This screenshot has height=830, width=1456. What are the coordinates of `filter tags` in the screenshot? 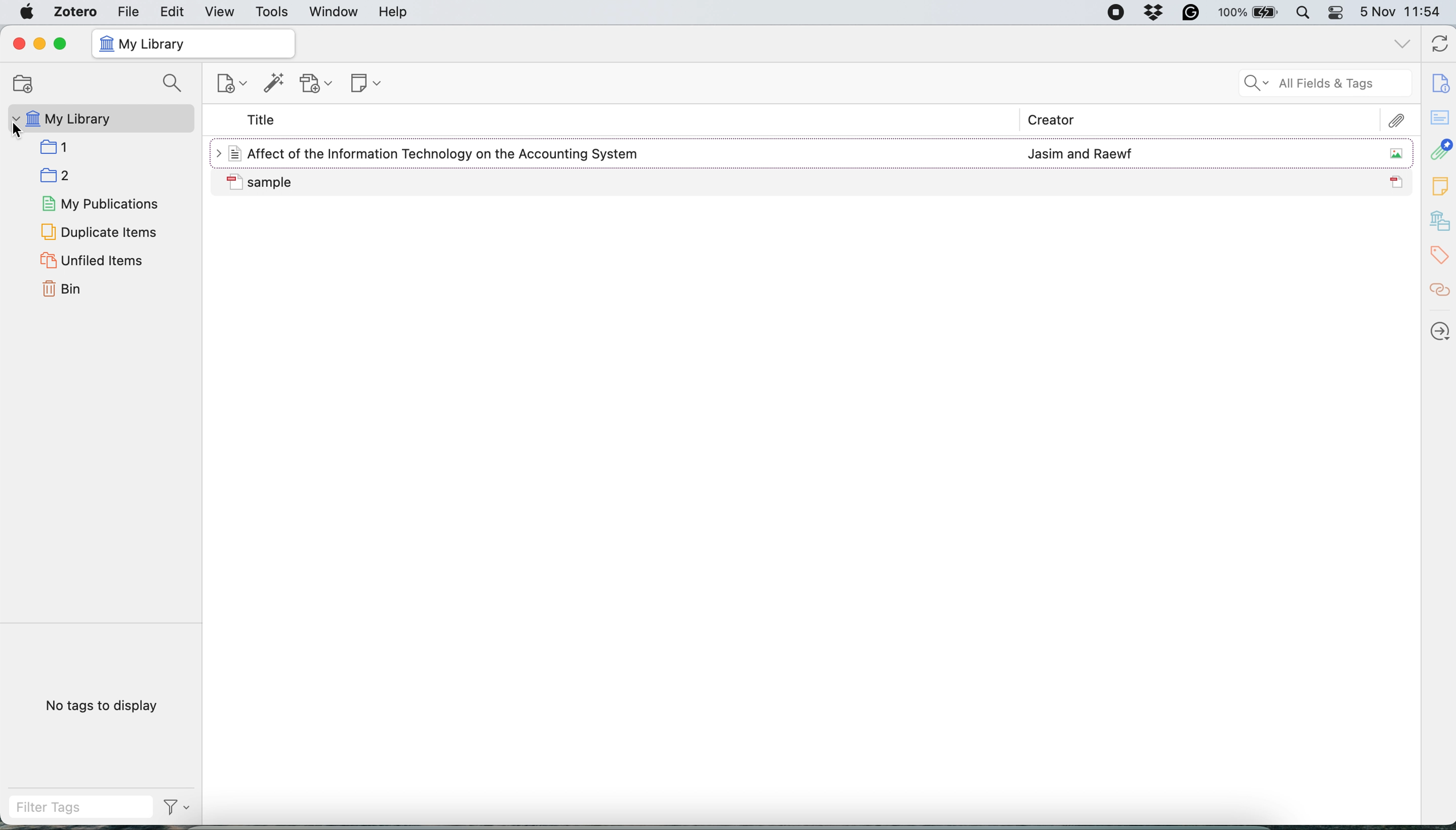 It's located at (52, 806).